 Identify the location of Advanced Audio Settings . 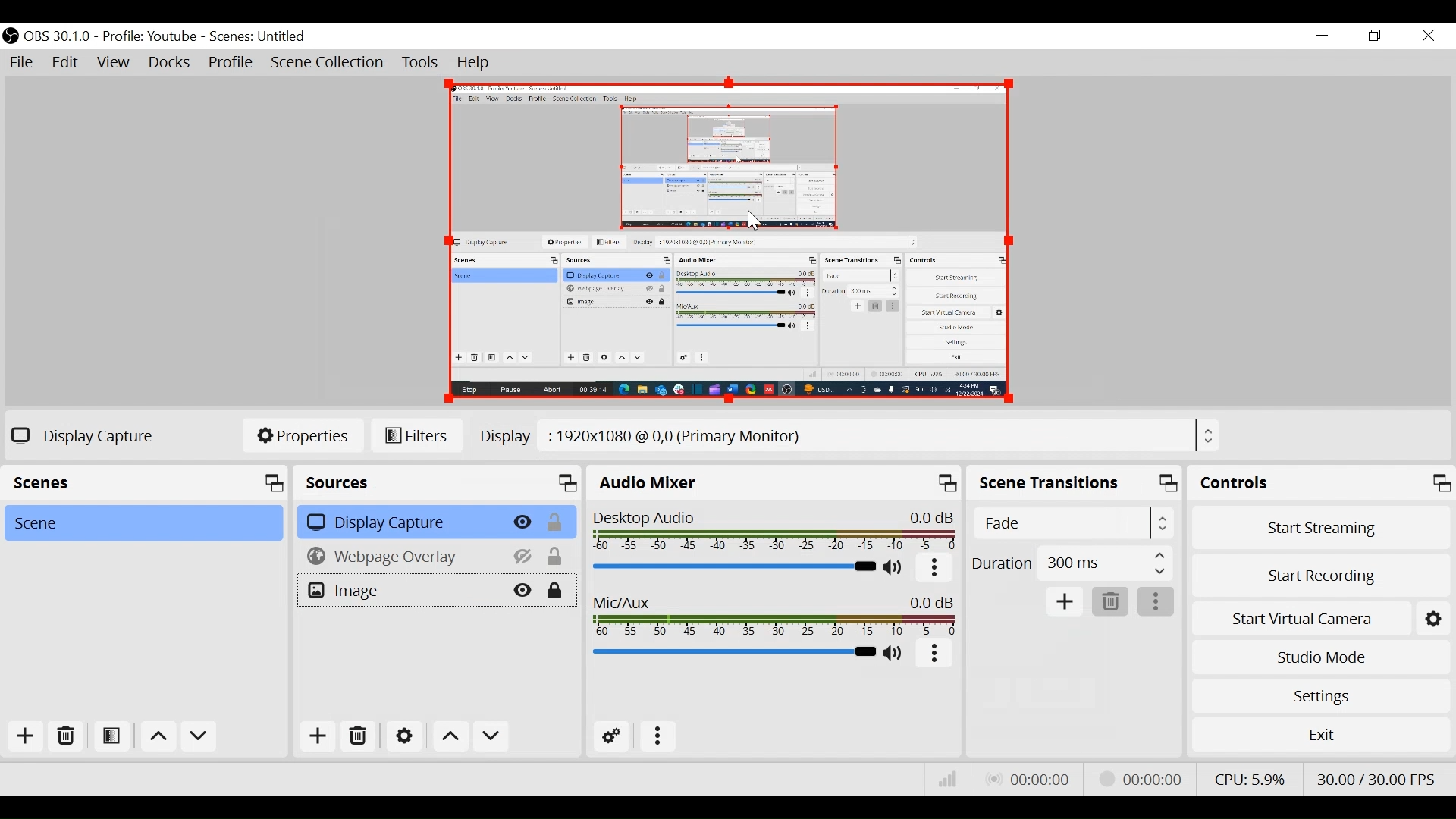
(610, 738).